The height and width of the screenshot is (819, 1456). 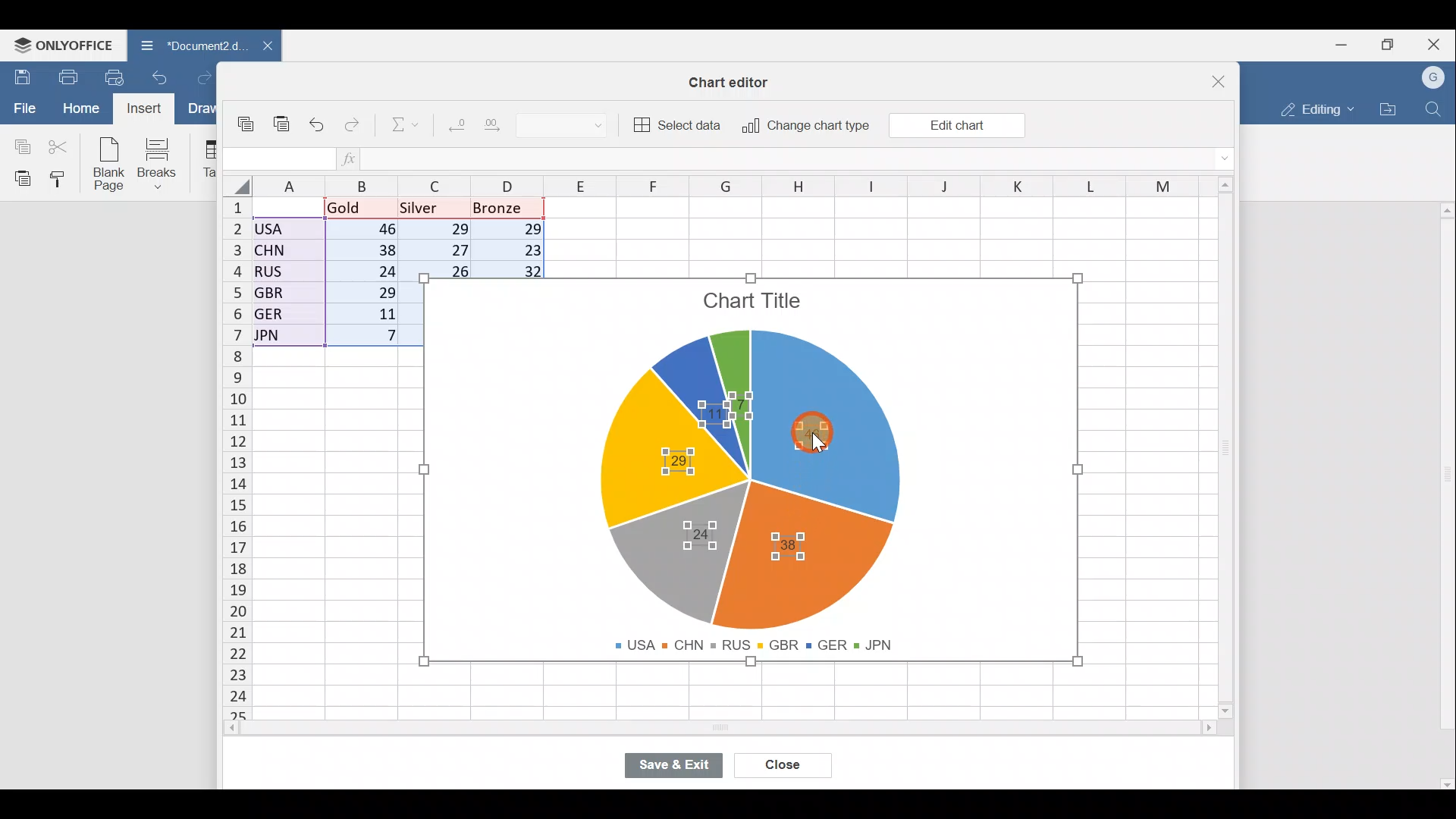 What do you see at coordinates (359, 158) in the screenshot?
I see `Insert function` at bounding box center [359, 158].